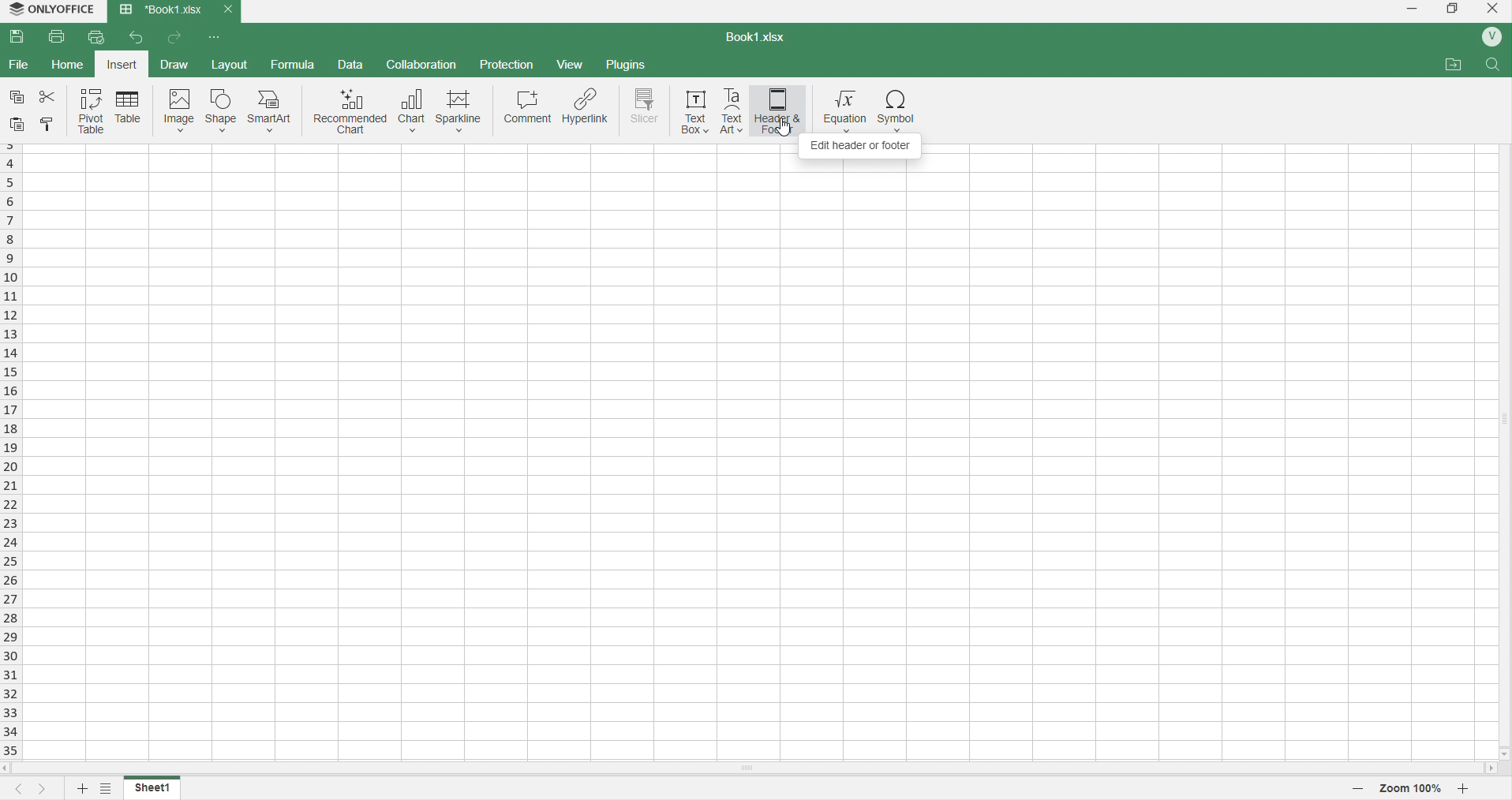  What do you see at coordinates (1453, 65) in the screenshot?
I see `attachments` at bounding box center [1453, 65].